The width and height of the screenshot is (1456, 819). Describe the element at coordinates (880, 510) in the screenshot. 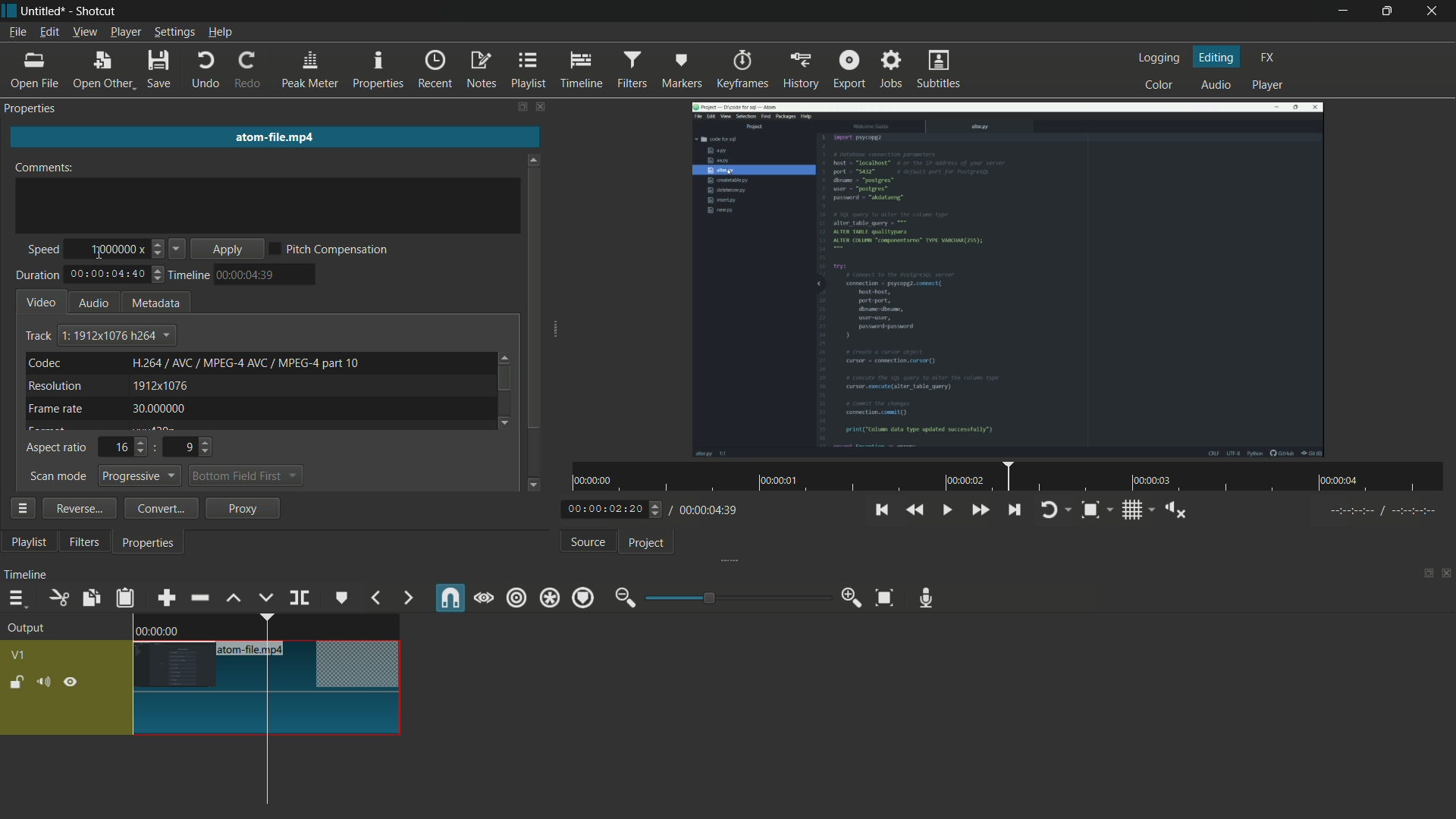

I see `skip to the previous point` at that location.